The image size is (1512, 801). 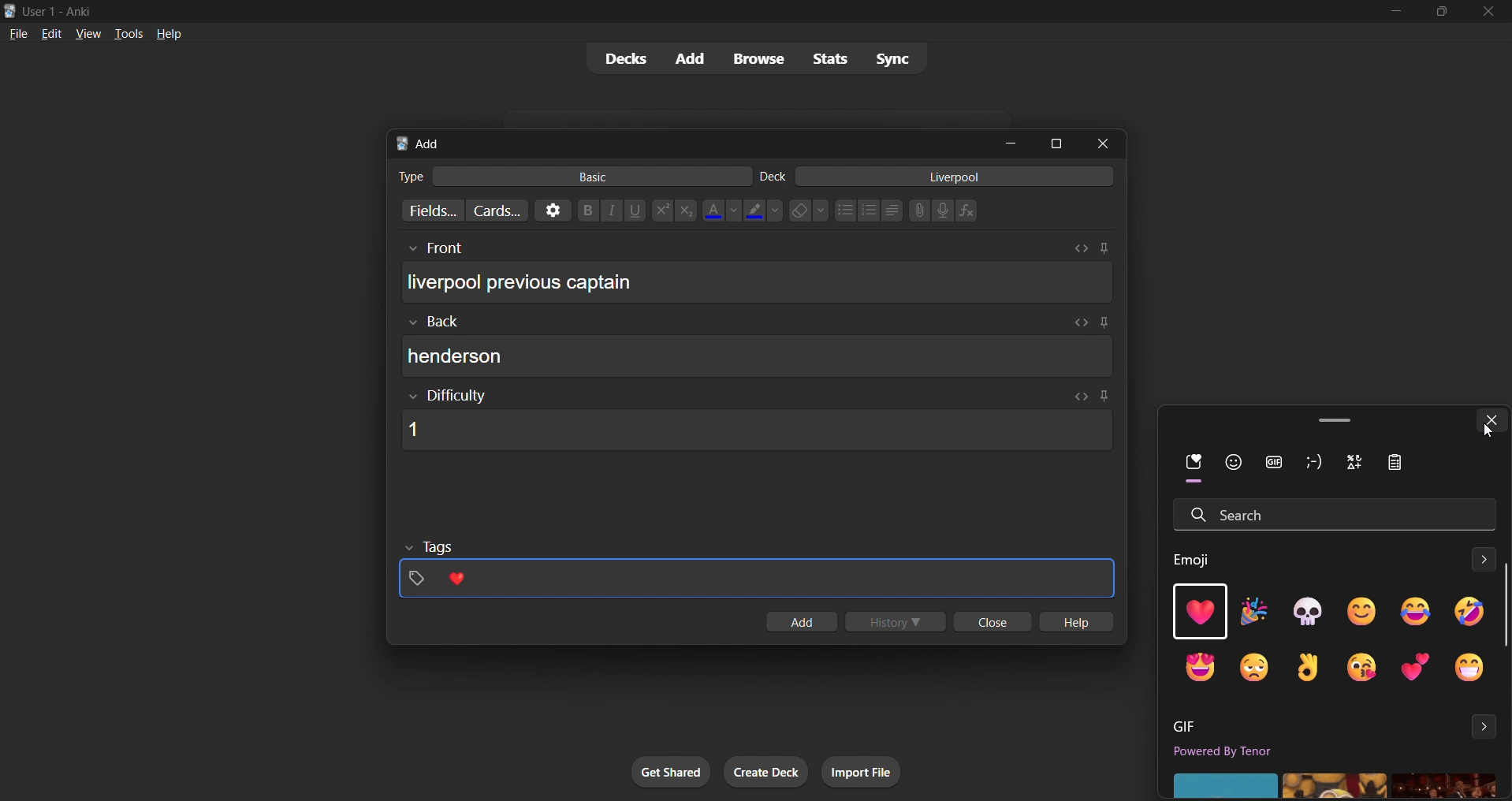 I want to click on text highlight color, so click(x=763, y=210).